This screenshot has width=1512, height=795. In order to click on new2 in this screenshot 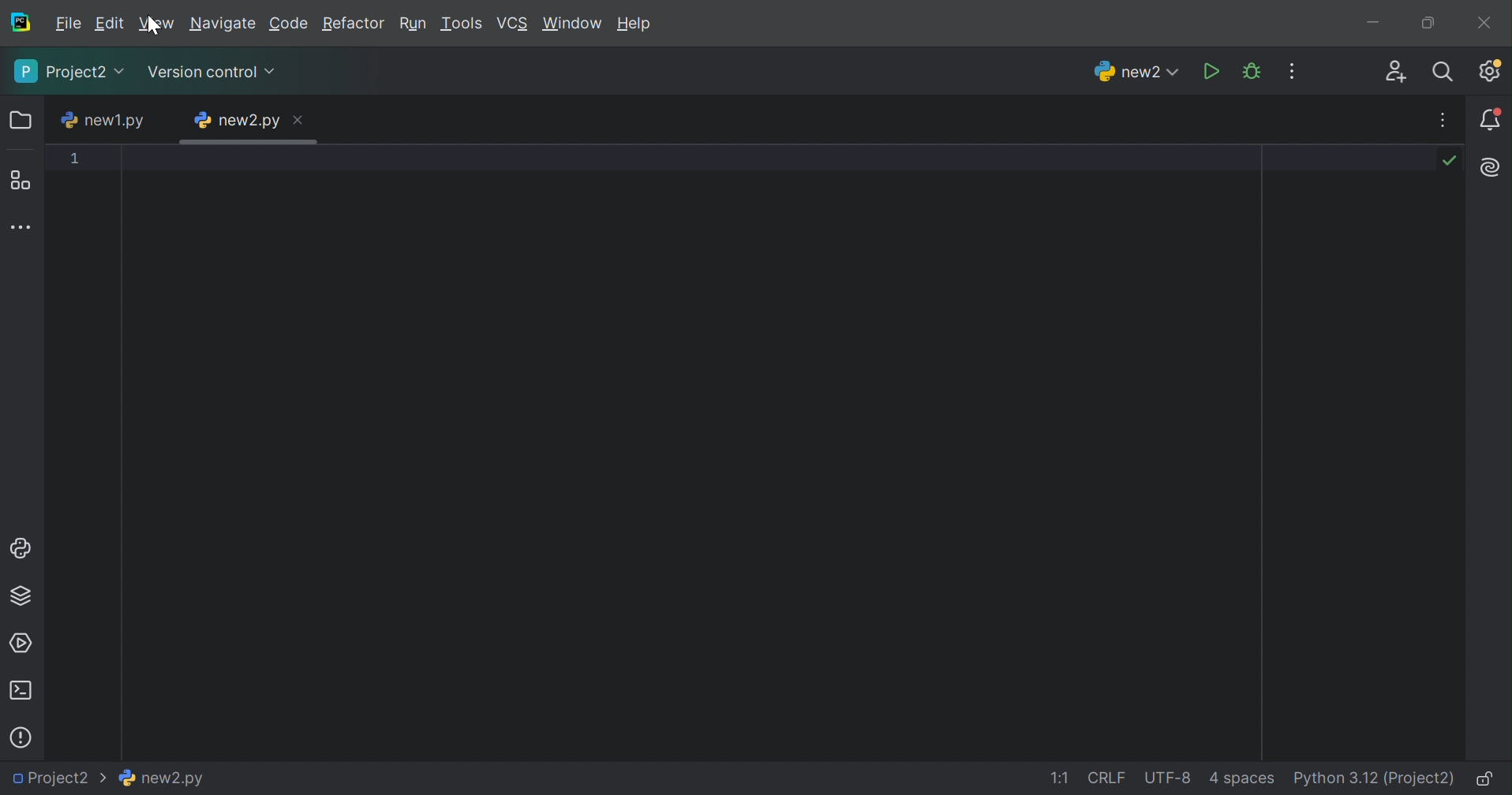, I will do `click(1137, 71)`.